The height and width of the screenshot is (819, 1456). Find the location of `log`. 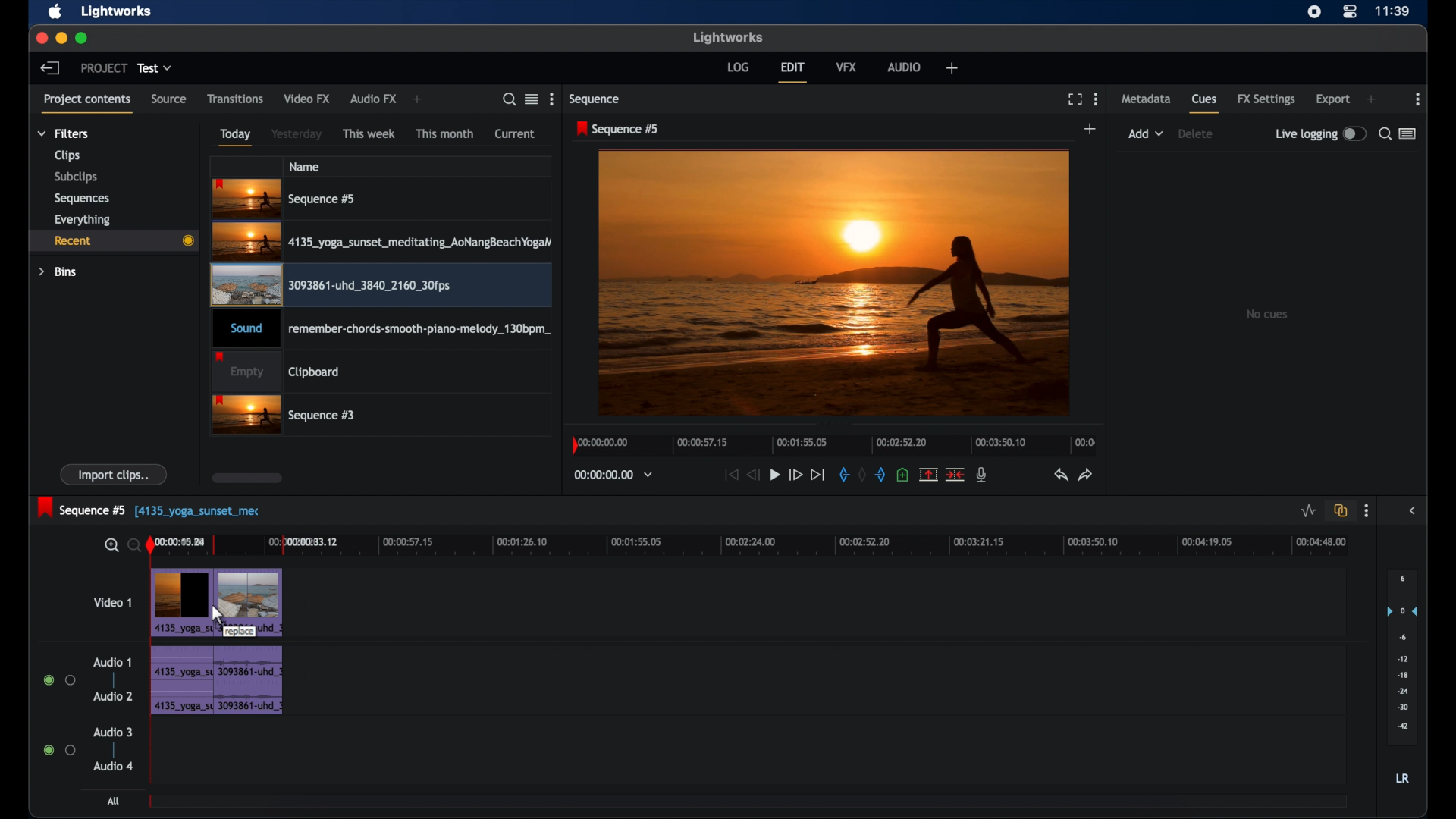

log is located at coordinates (739, 67).